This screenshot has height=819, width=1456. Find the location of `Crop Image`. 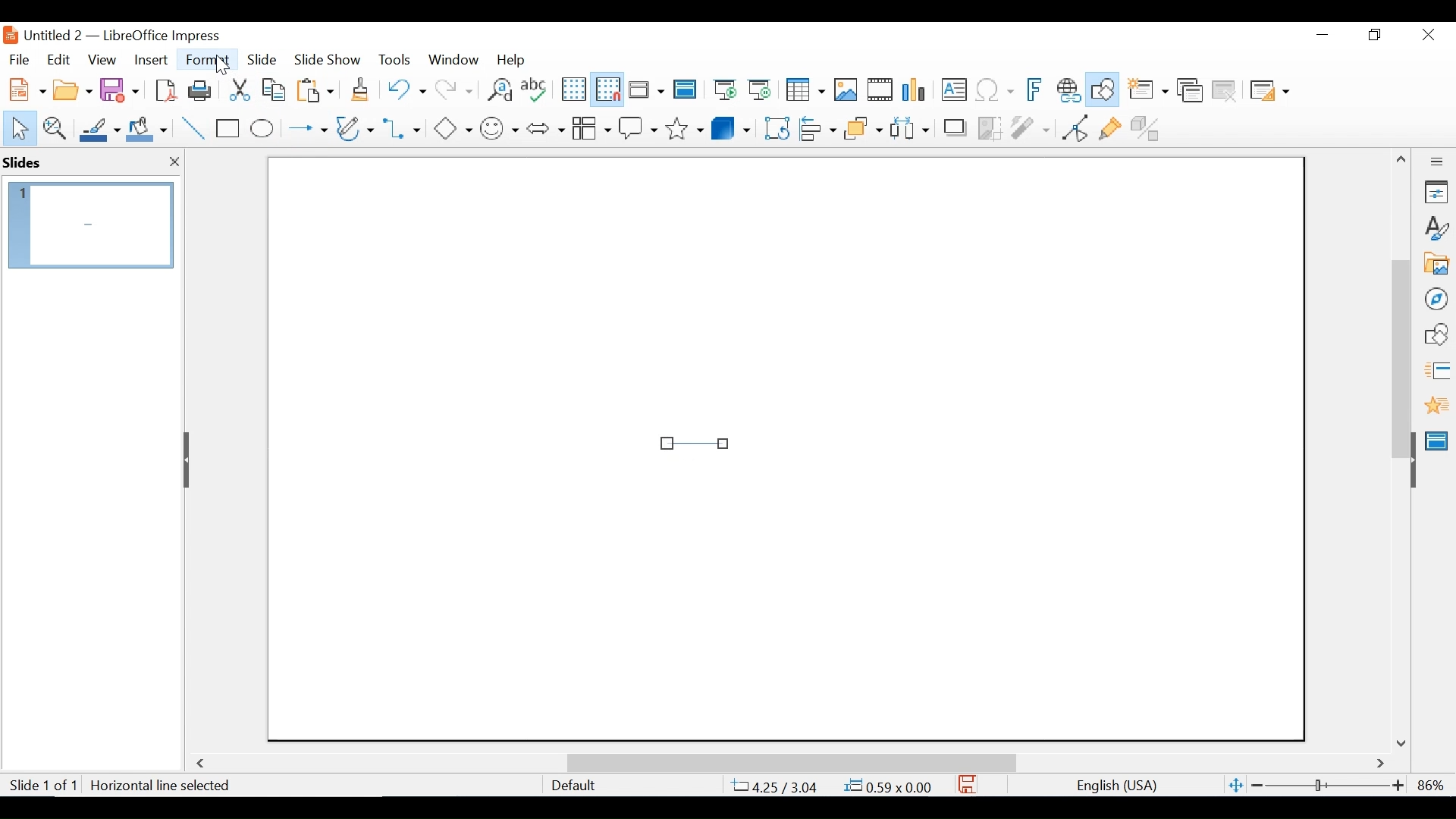

Crop Image is located at coordinates (990, 127).